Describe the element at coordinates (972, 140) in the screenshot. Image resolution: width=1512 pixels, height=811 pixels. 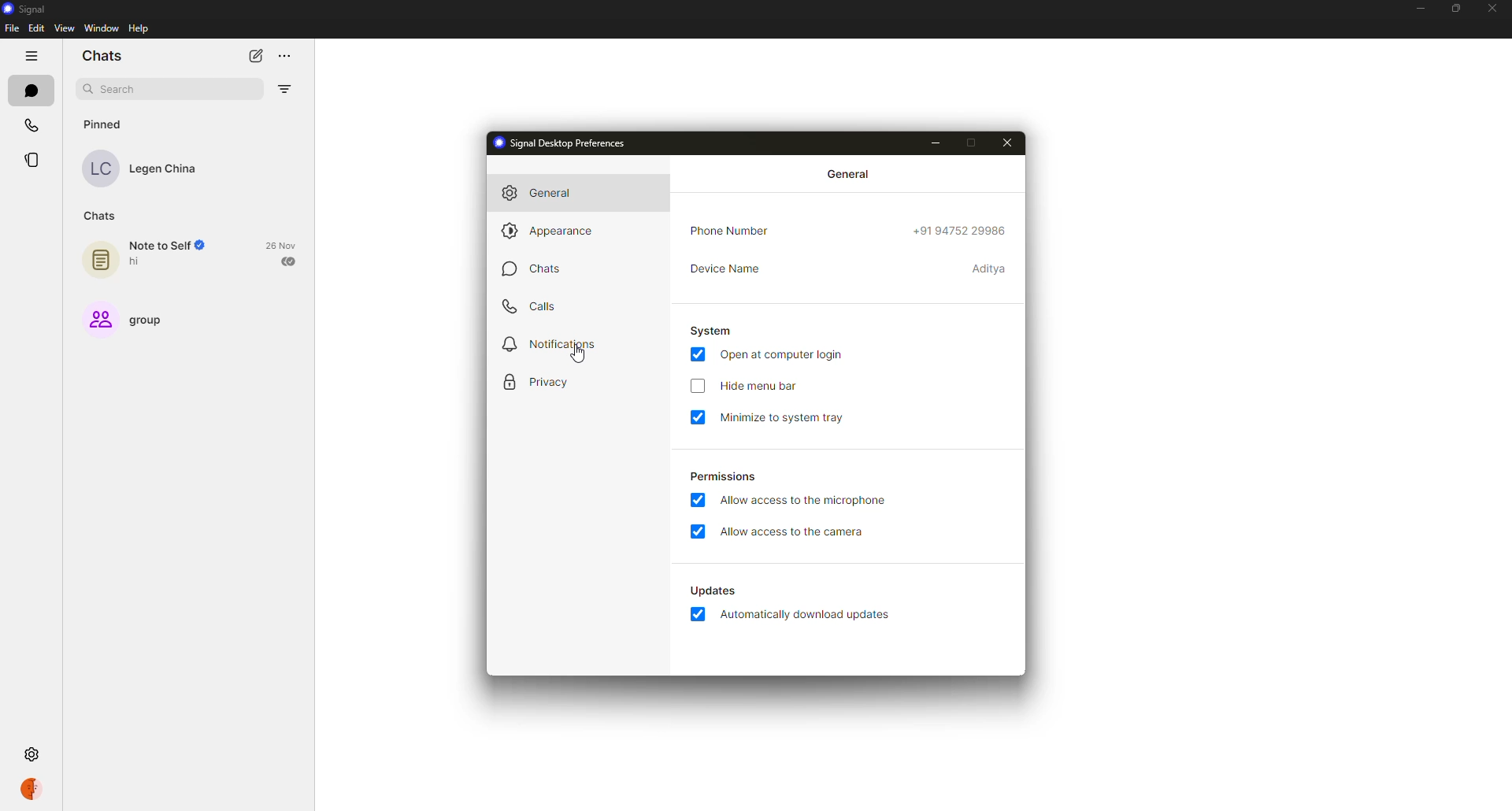
I see `maximize` at that location.